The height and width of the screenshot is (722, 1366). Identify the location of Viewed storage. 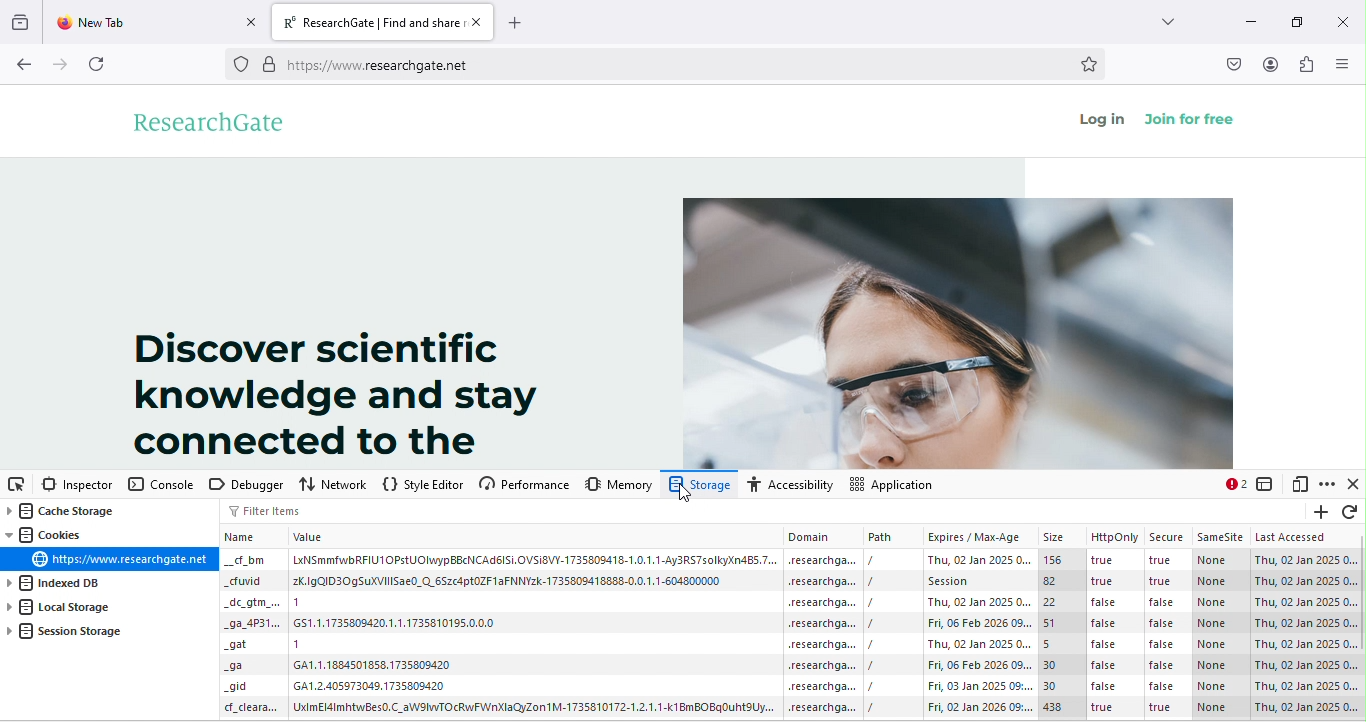
(698, 487).